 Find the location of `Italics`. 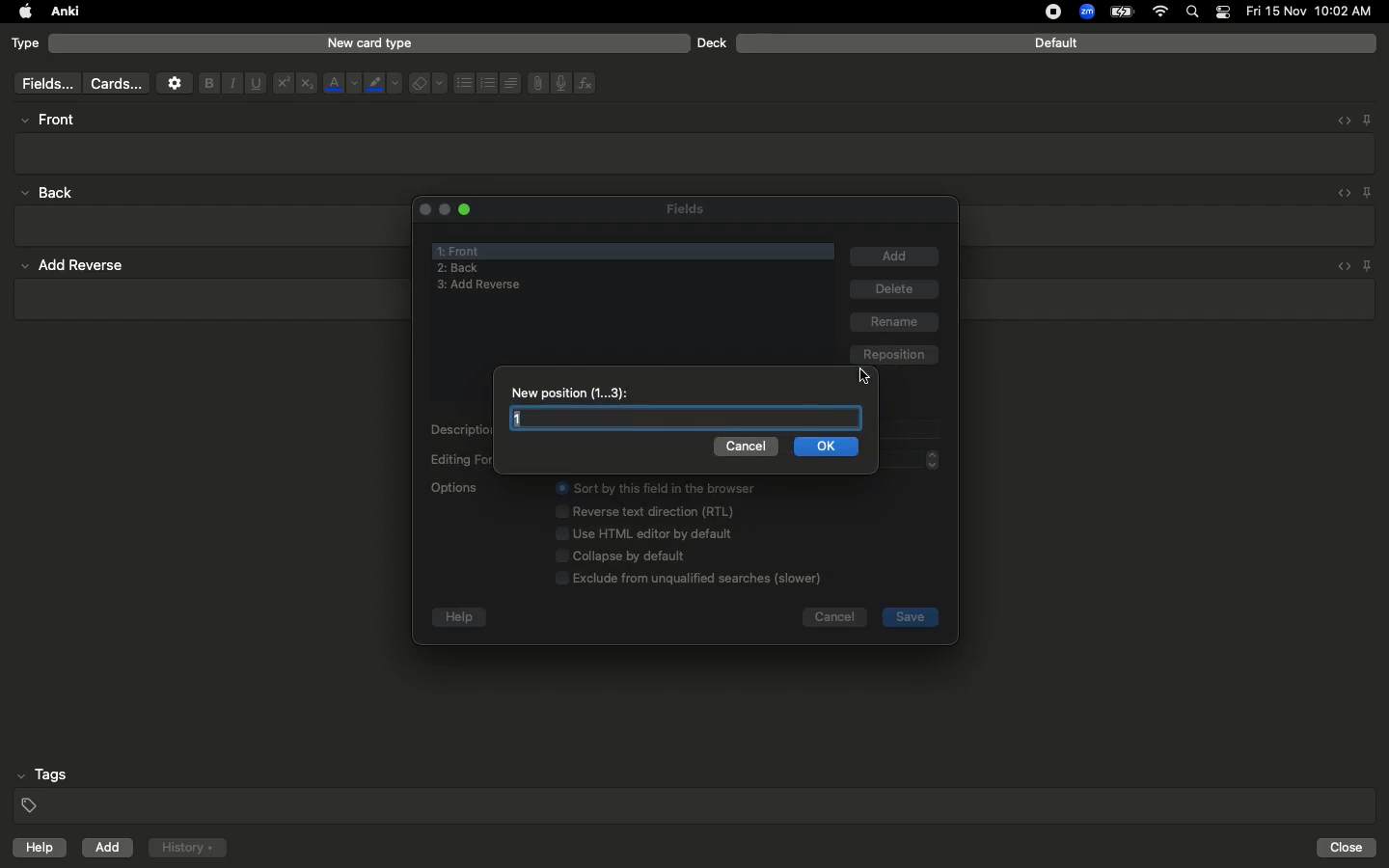

Italics is located at coordinates (230, 84).